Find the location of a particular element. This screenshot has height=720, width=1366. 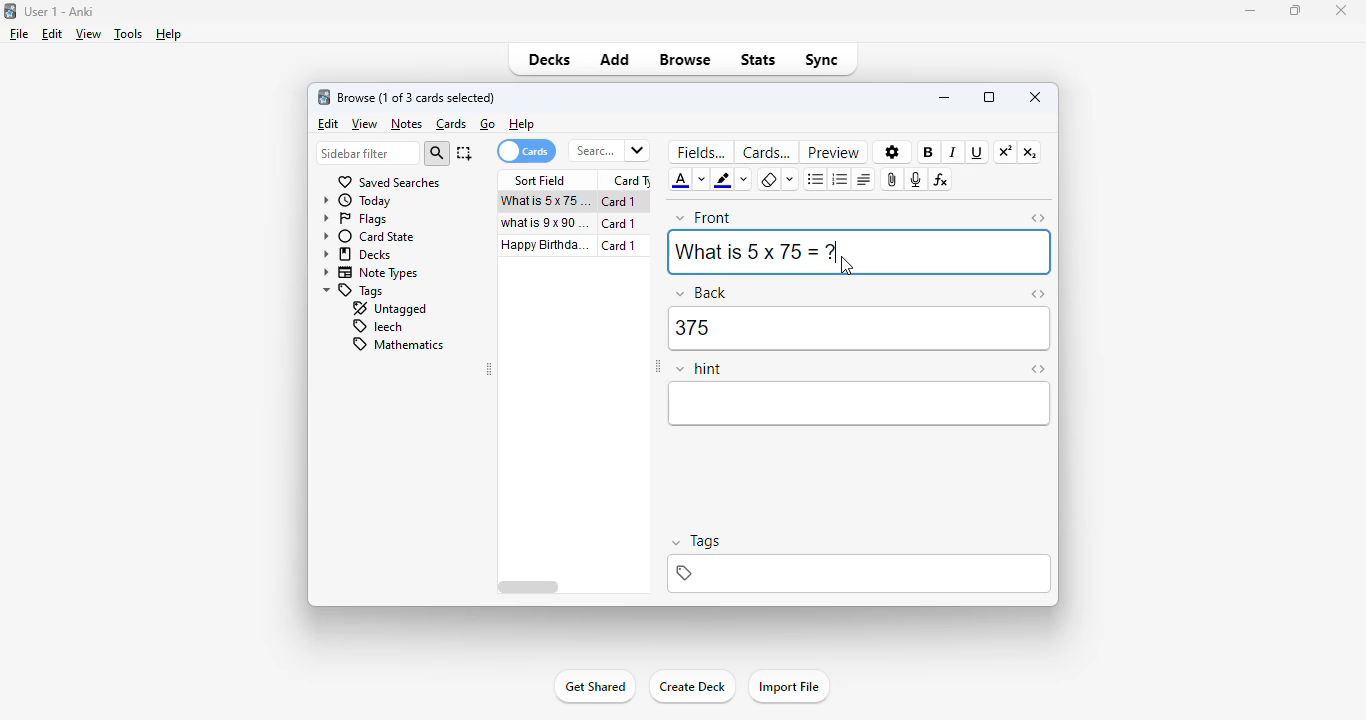

search is located at coordinates (610, 151).